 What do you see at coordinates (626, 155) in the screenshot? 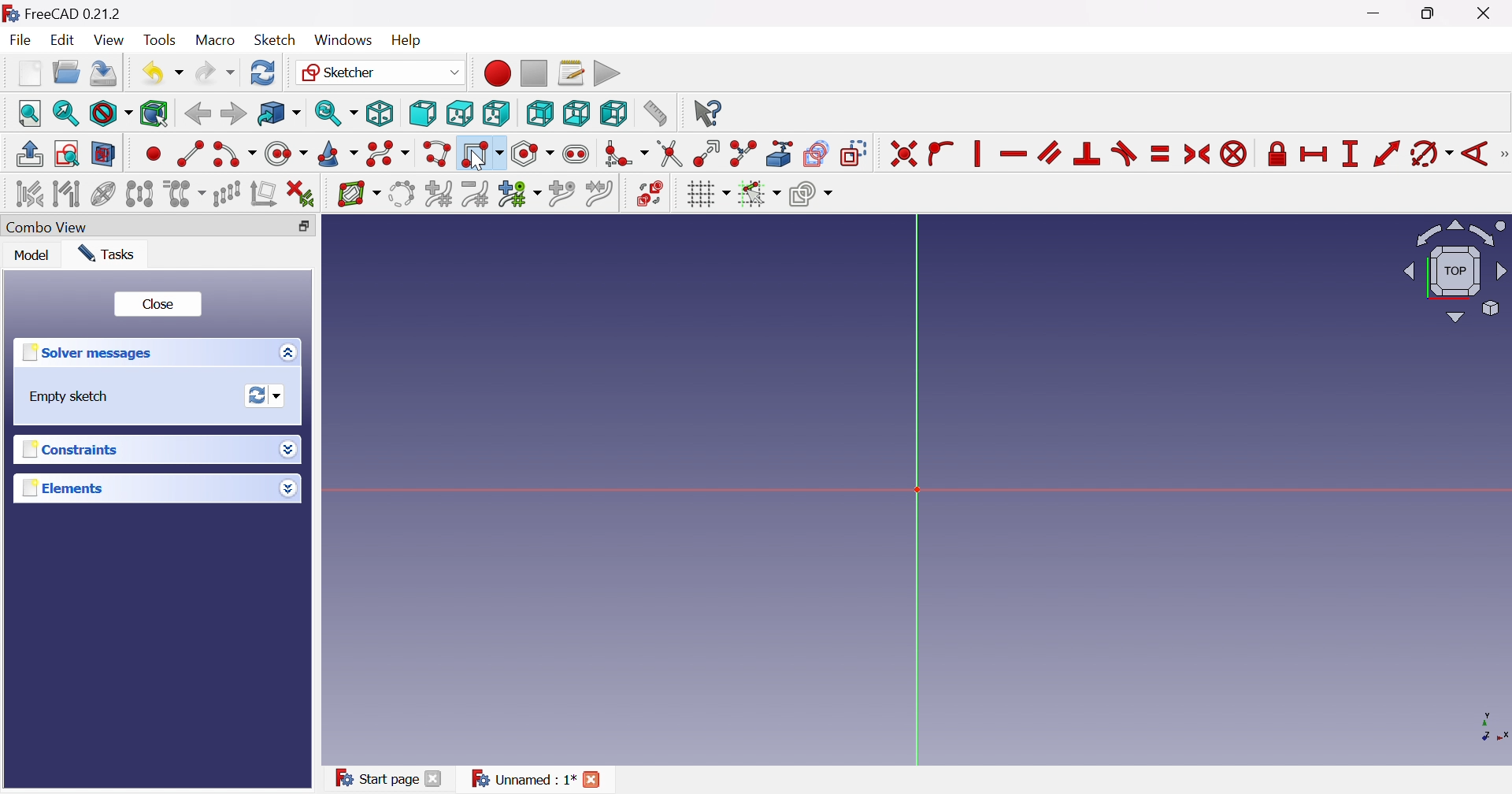
I see `Create fillet` at bounding box center [626, 155].